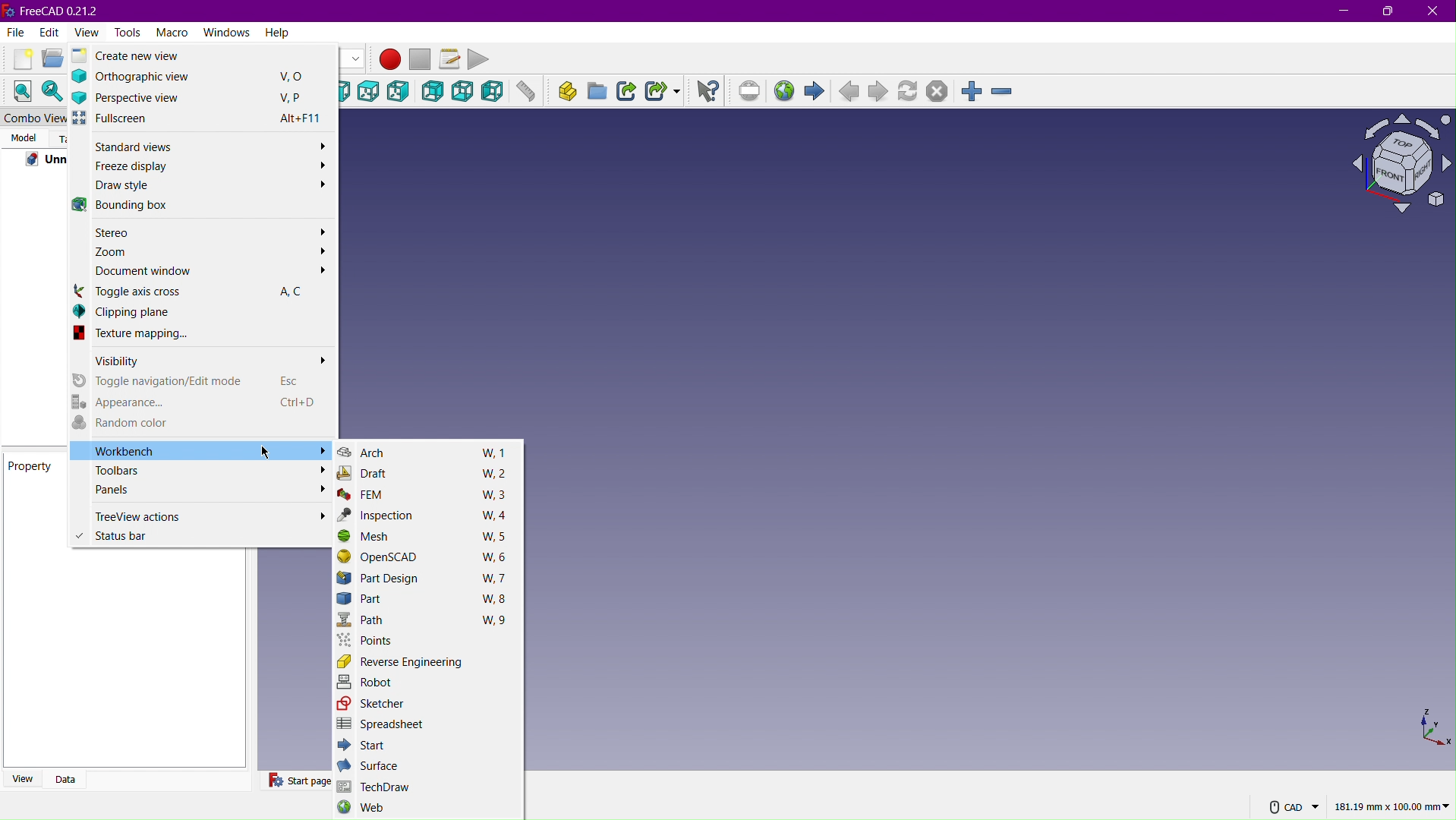  Describe the element at coordinates (73, 775) in the screenshot. I see `Data` at that location.